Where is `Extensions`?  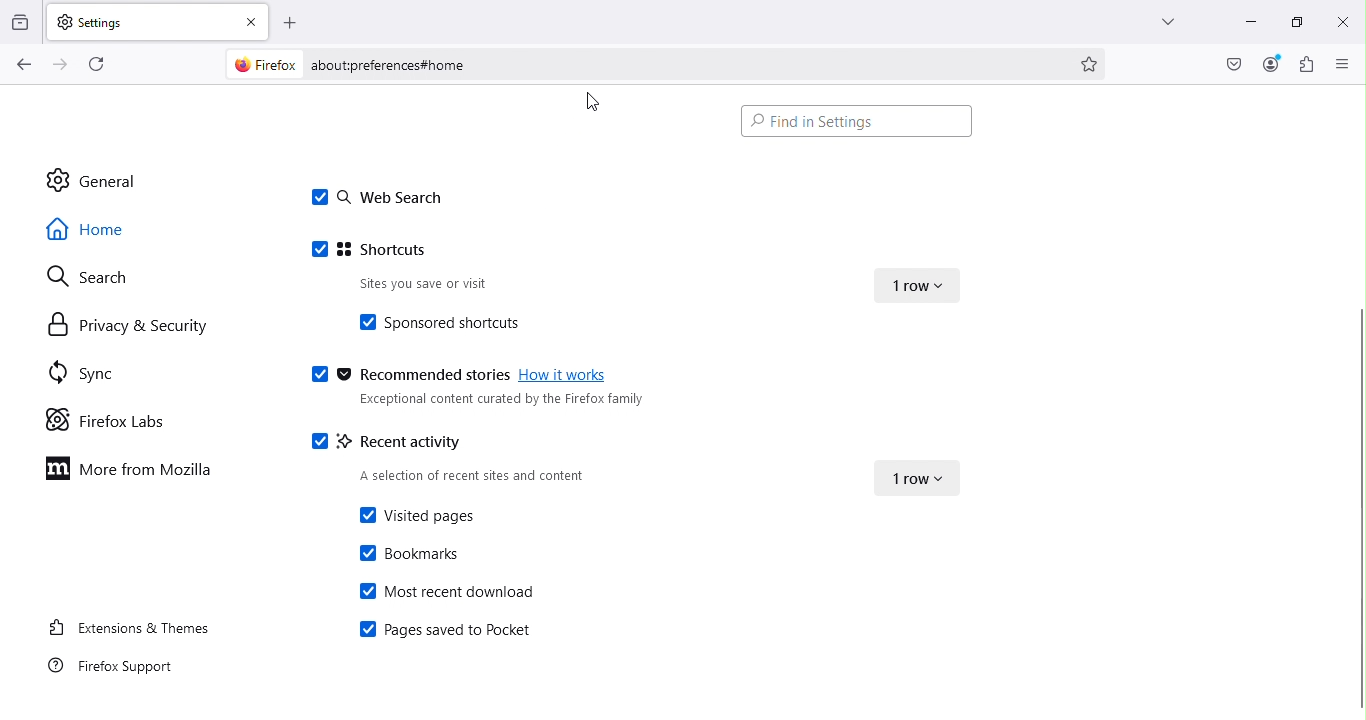
Extensions is located at coordinates (1307, 64).